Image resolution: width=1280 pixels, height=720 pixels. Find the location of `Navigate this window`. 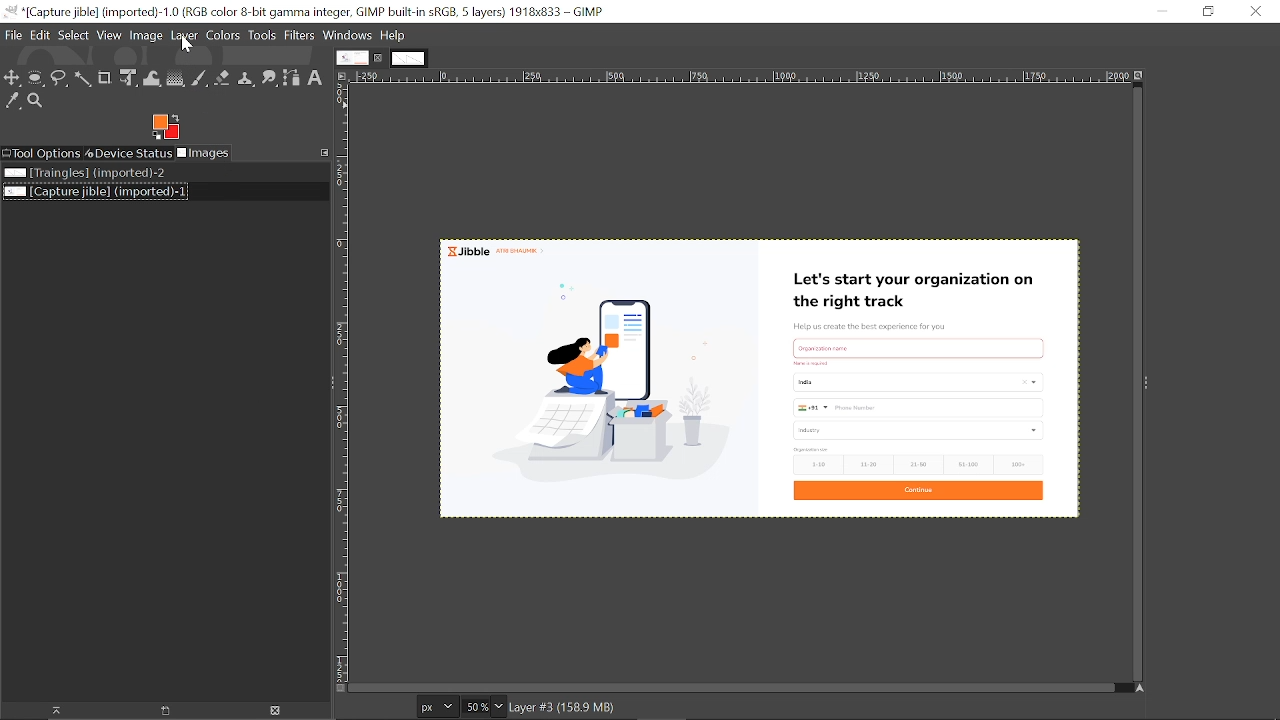

Navigate this window is located at coordinates (1137, 688).